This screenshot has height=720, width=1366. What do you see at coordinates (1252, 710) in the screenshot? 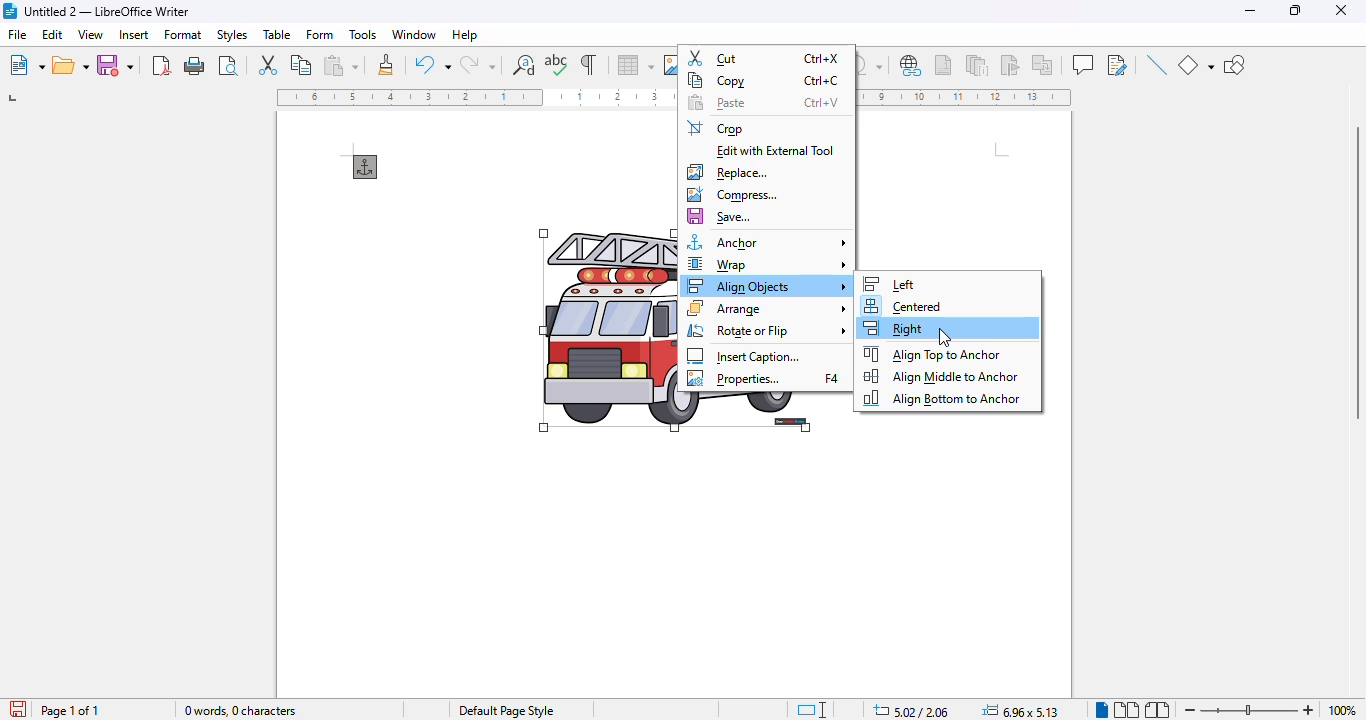
I see `zoom slider` at bounding box center [1252, 710].